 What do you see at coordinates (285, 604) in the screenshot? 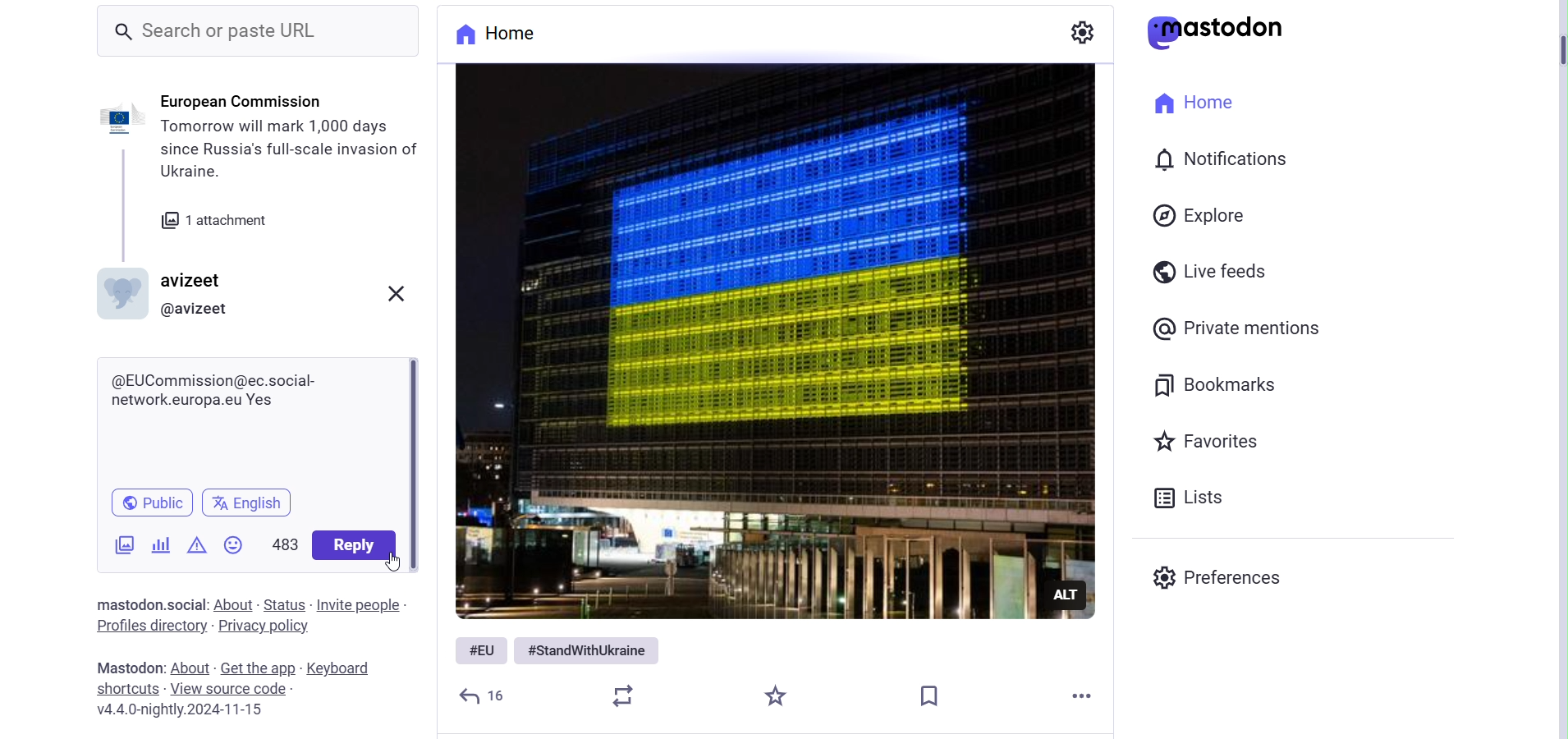
I see `Status` at bounding box center [285, 604].